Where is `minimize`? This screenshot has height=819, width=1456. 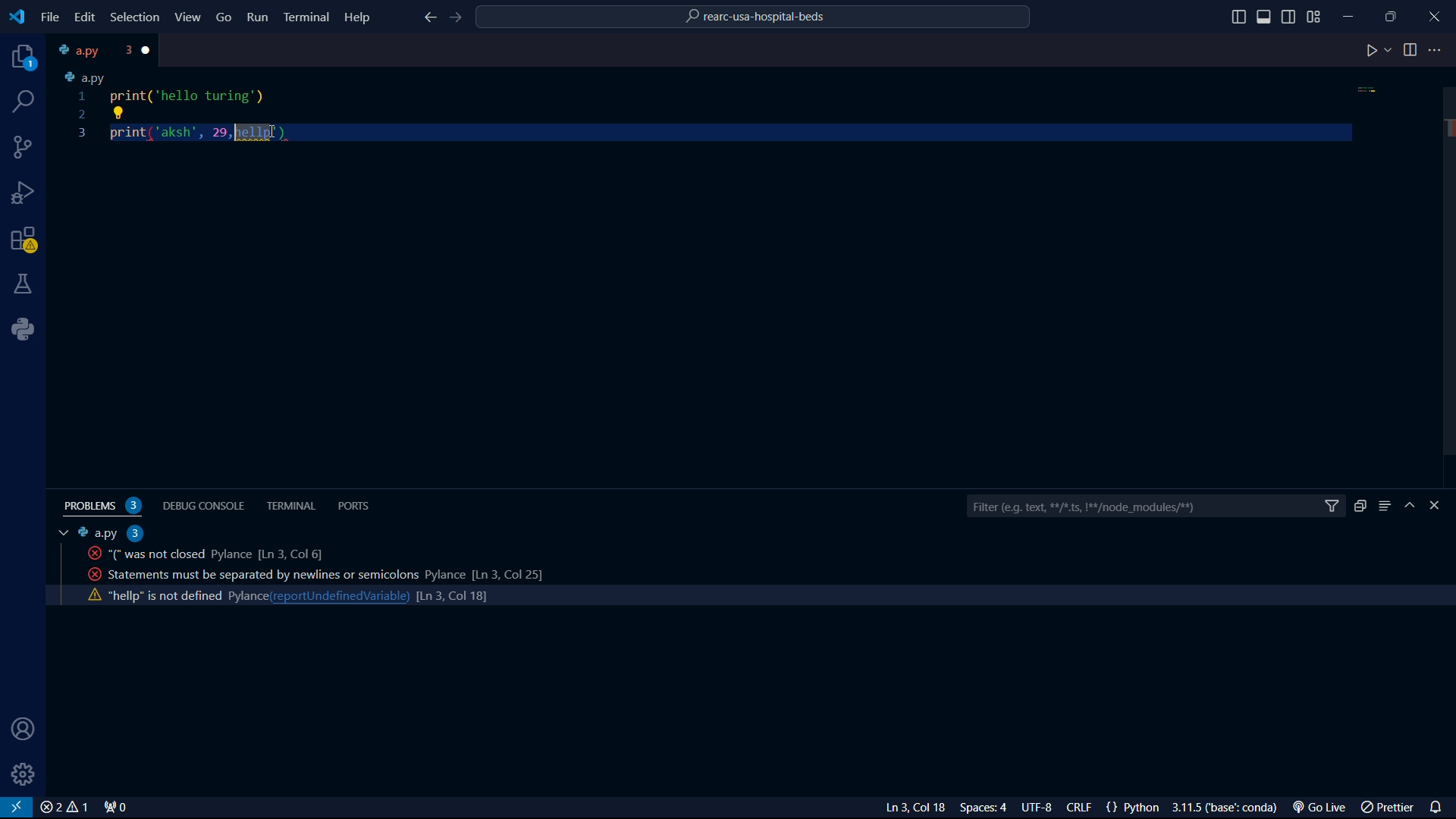
minimize is located at coordinates (1353, 13).